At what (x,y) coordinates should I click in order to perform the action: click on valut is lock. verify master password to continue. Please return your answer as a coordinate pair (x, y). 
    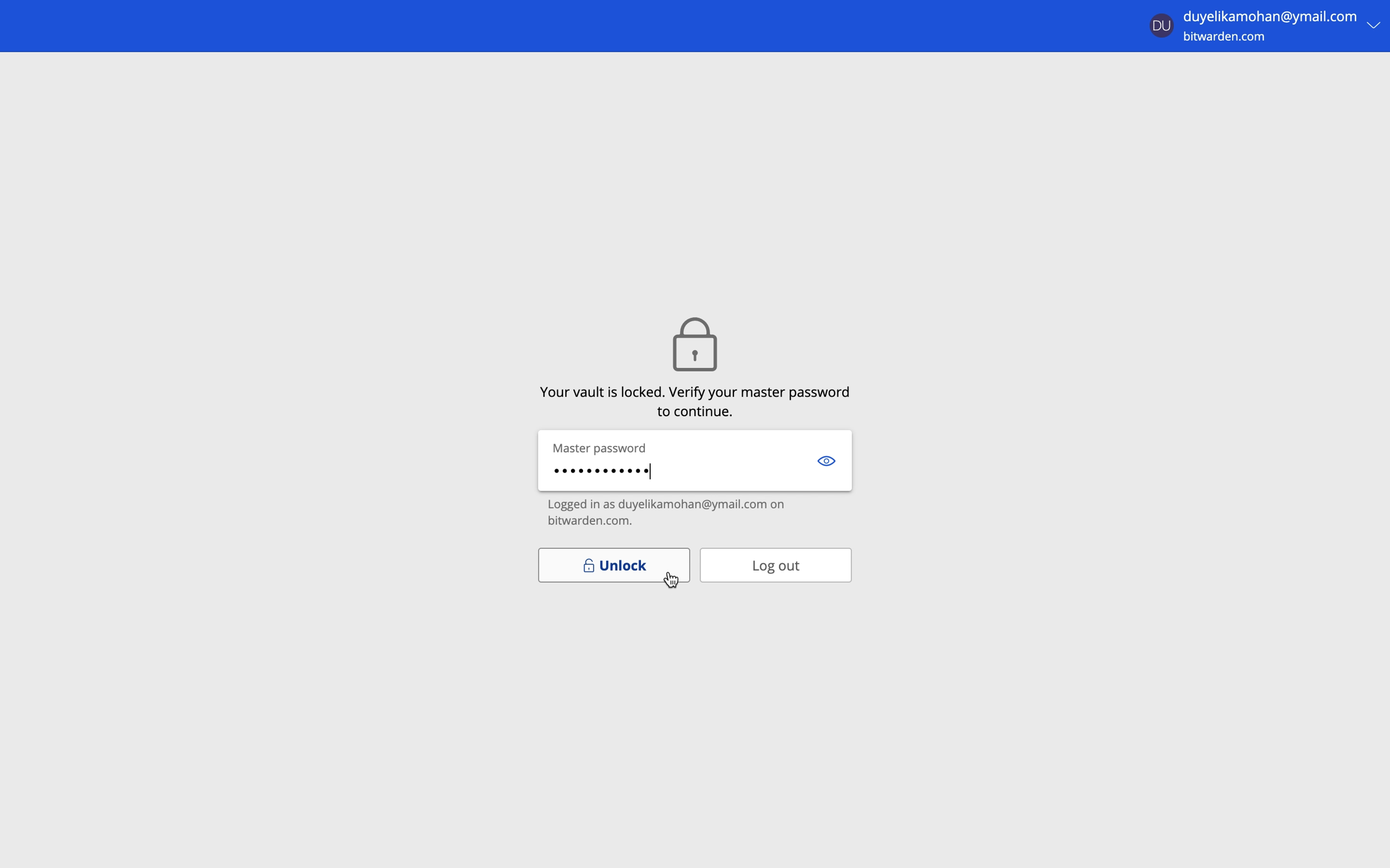
    Looking at the image, I should click on (697, 400).